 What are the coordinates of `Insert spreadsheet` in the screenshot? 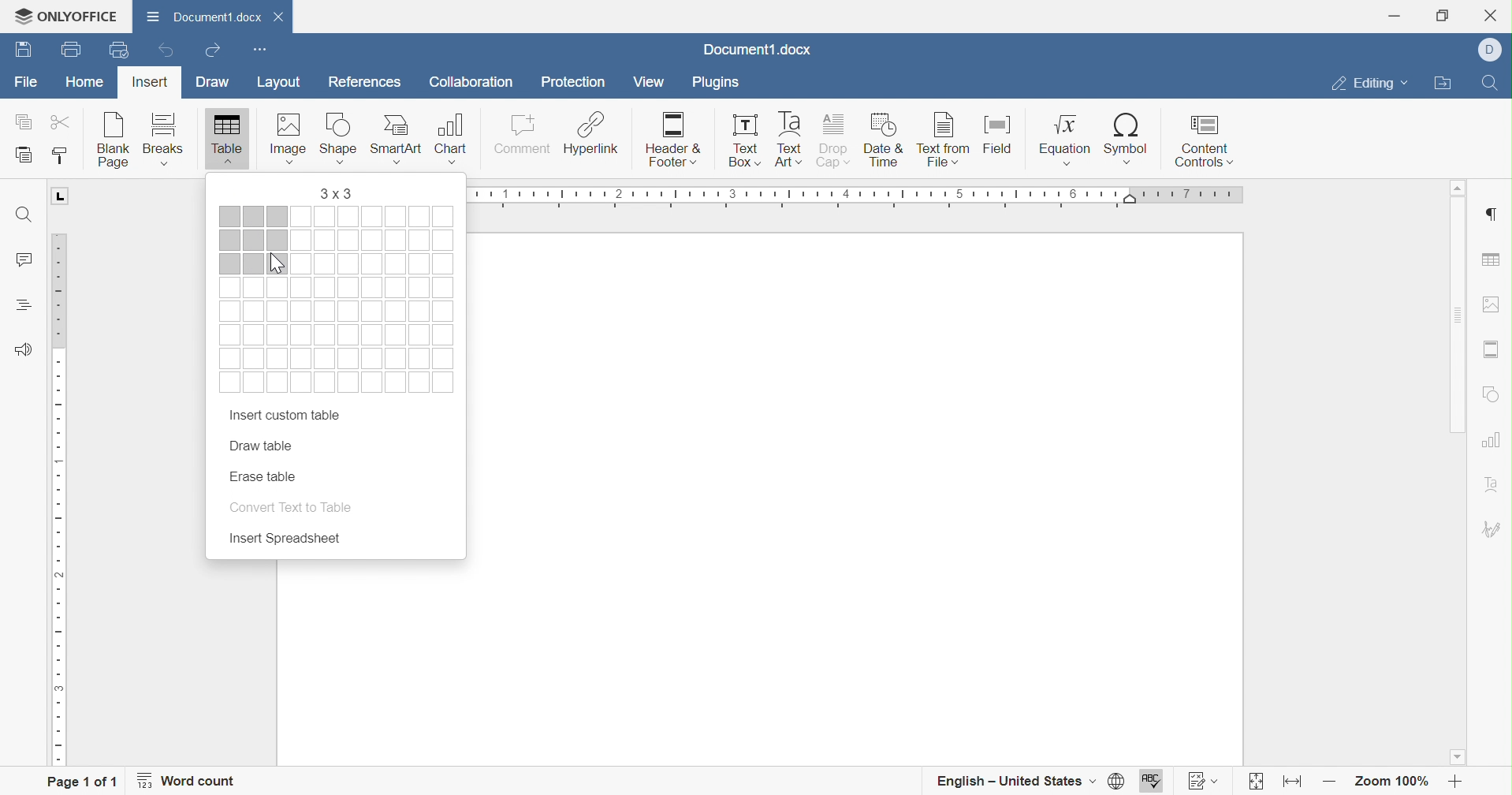 It's located at (284, 539).